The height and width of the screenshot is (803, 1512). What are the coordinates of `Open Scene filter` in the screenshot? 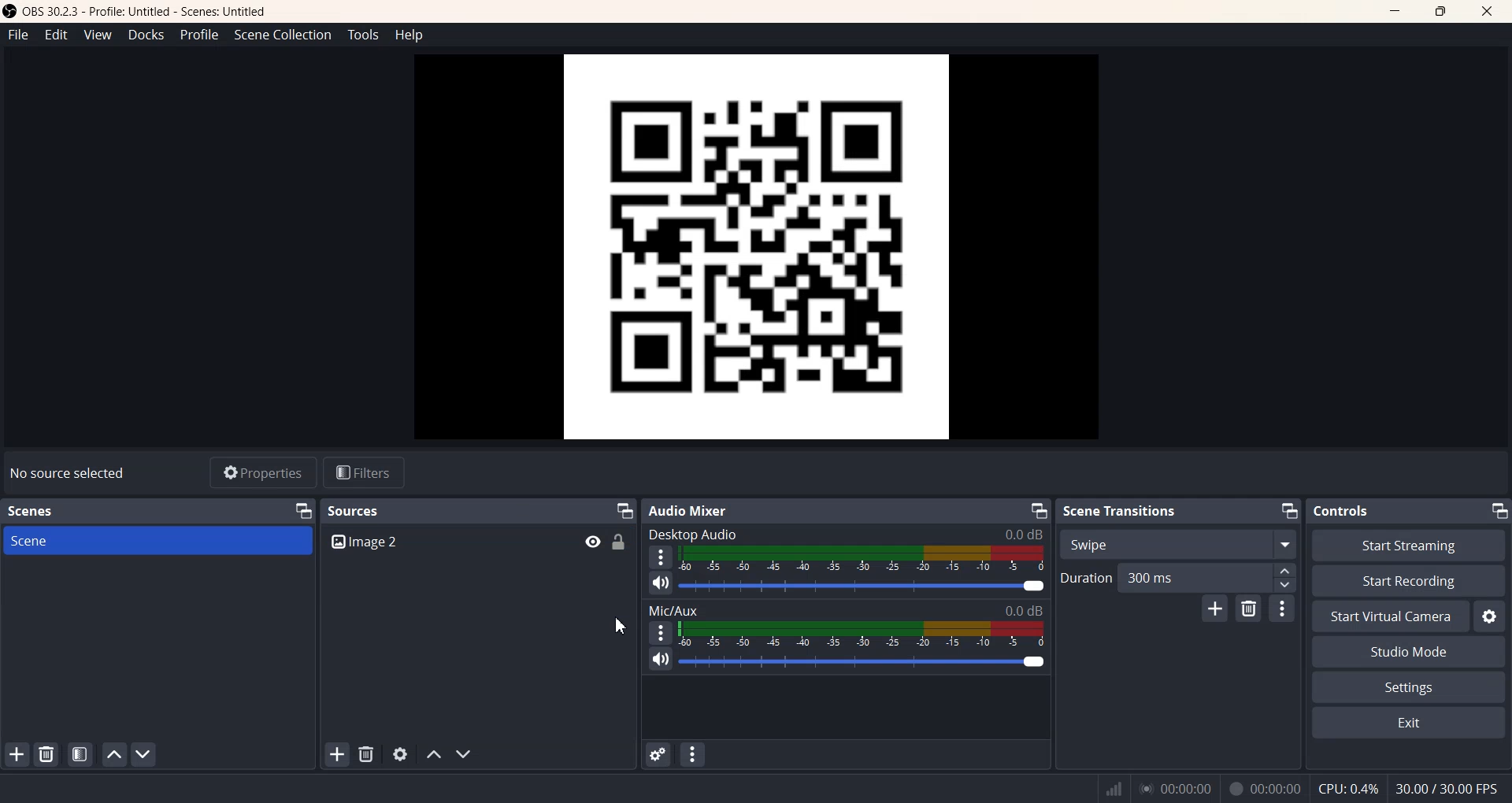 It's located at (77, 755).